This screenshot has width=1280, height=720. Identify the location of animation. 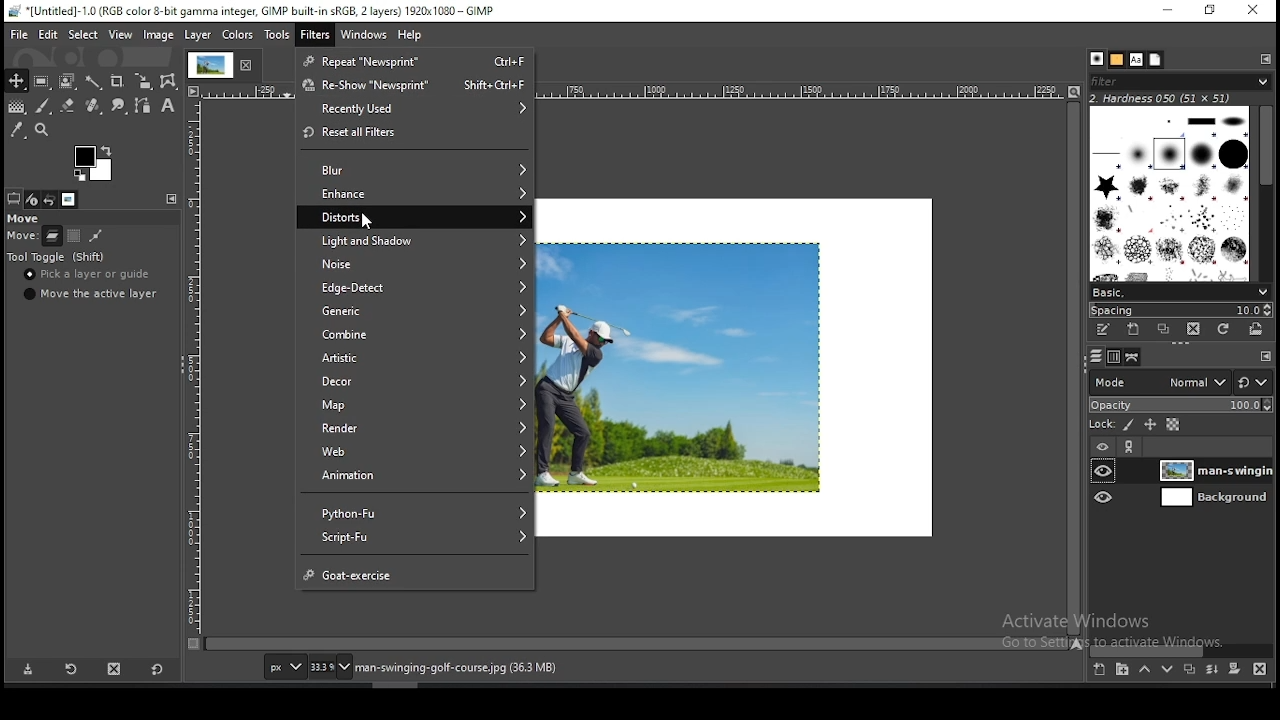
(418, 475).